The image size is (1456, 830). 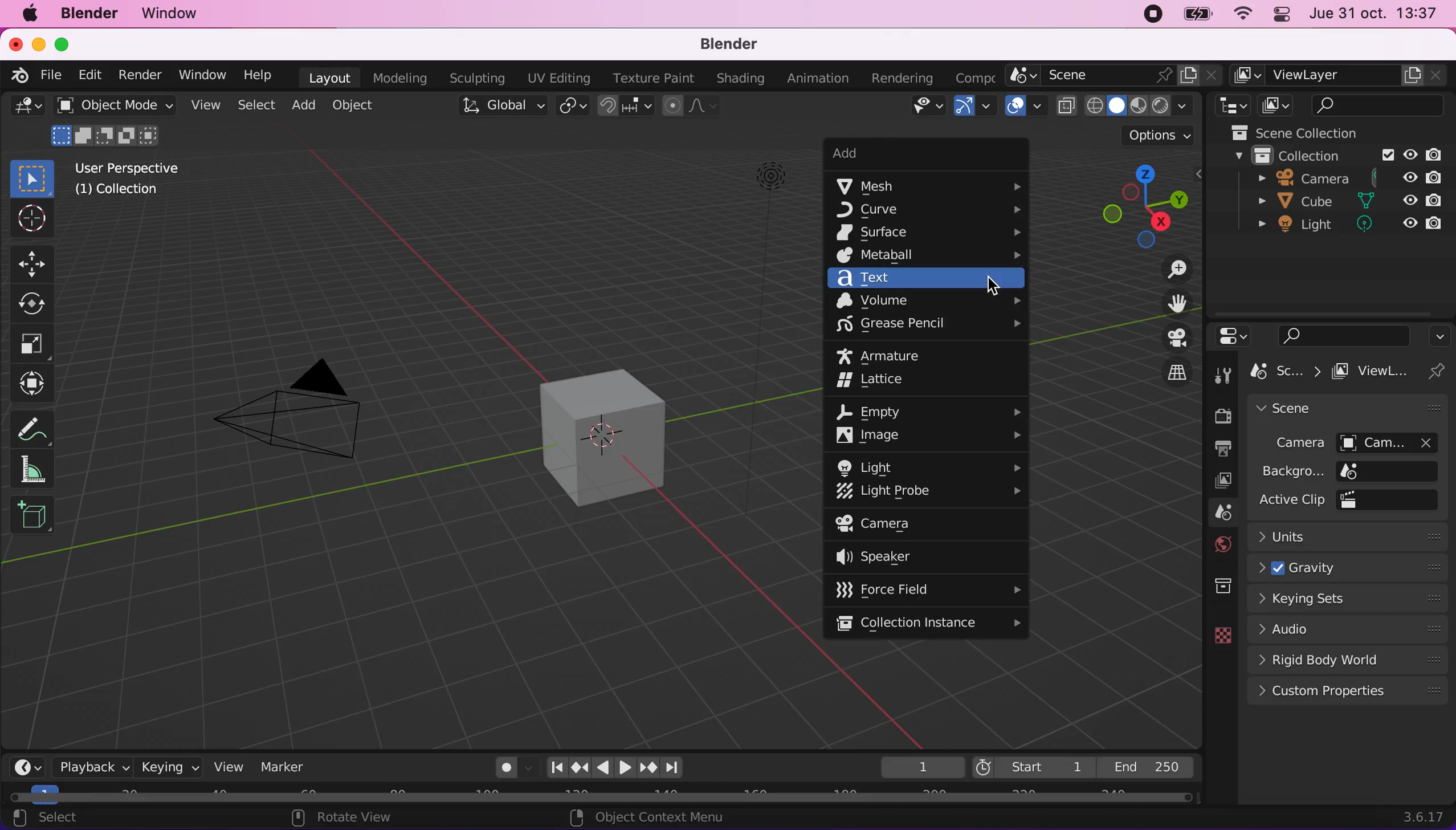 I want to click on add, so click(x=301, y=107).